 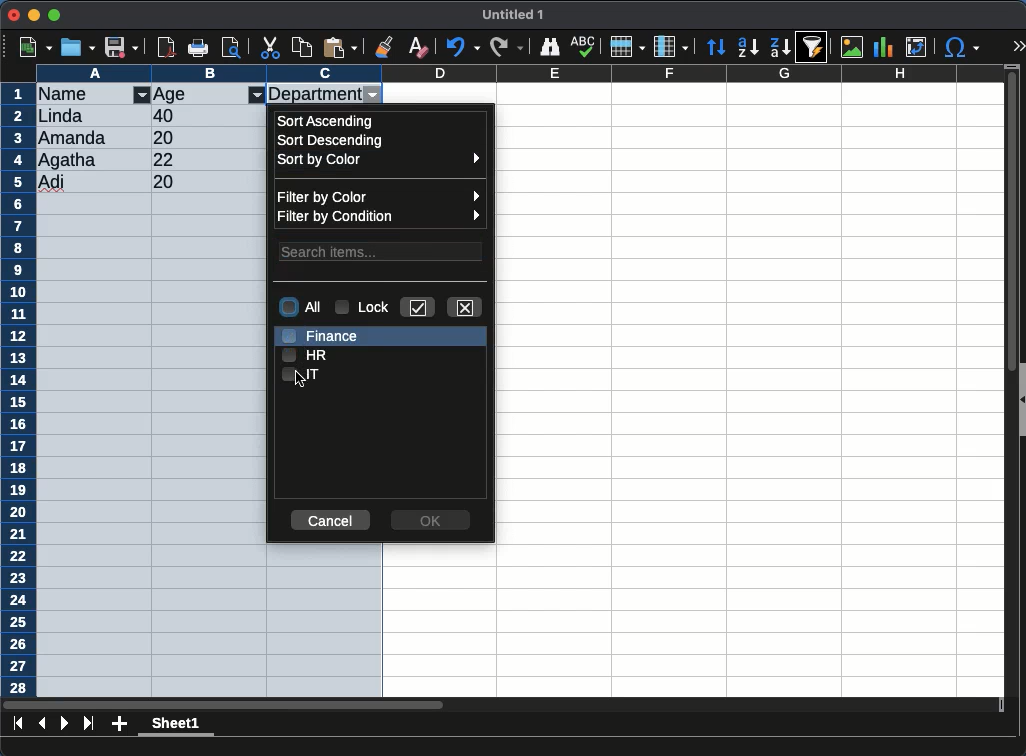 What do you see at coordinates (340, 47) in the screenshot?
I see `paste` at bounding box center [340, 47].